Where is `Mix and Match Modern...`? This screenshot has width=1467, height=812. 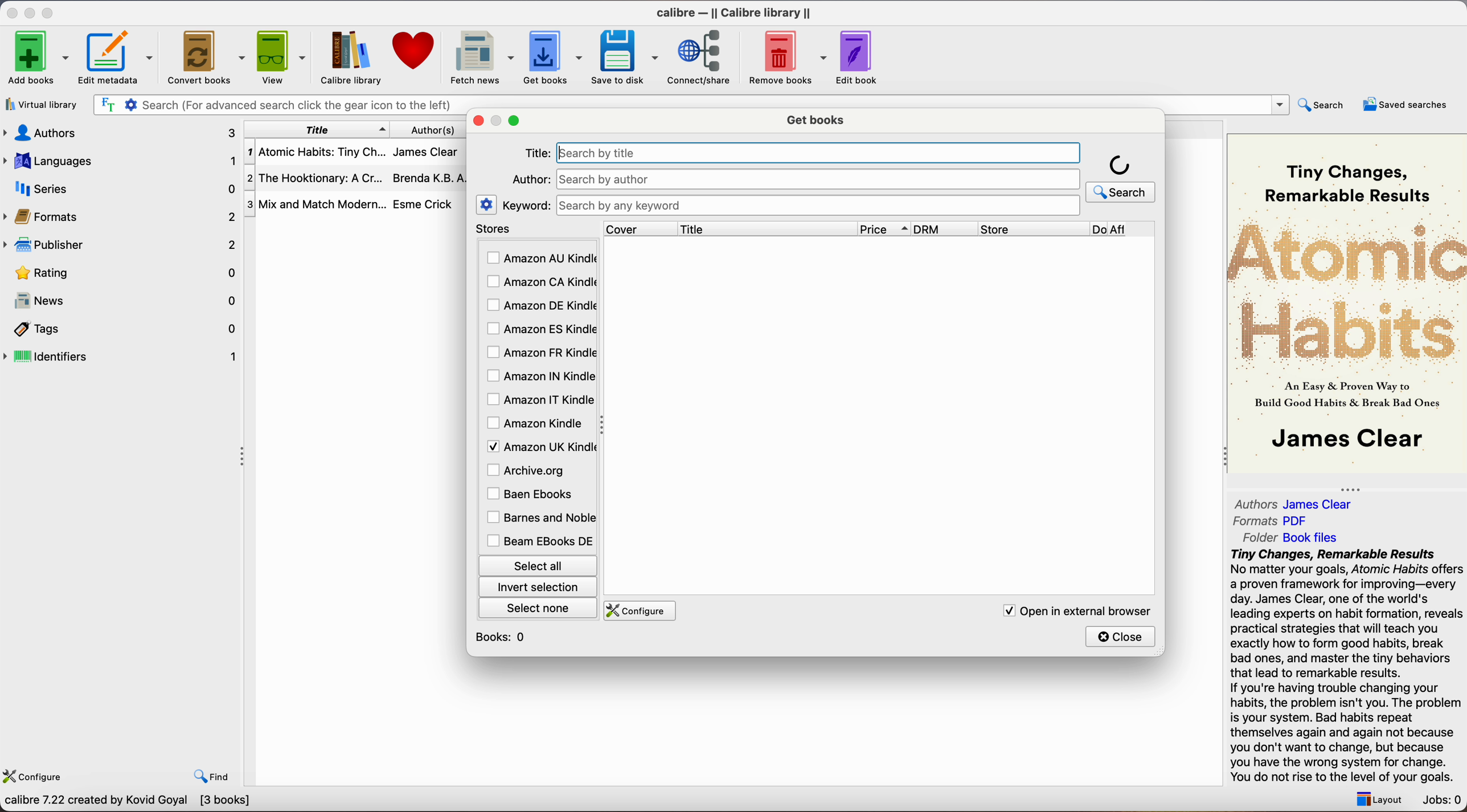
Mix and Match Modern... is located at coordinates (315, 205).